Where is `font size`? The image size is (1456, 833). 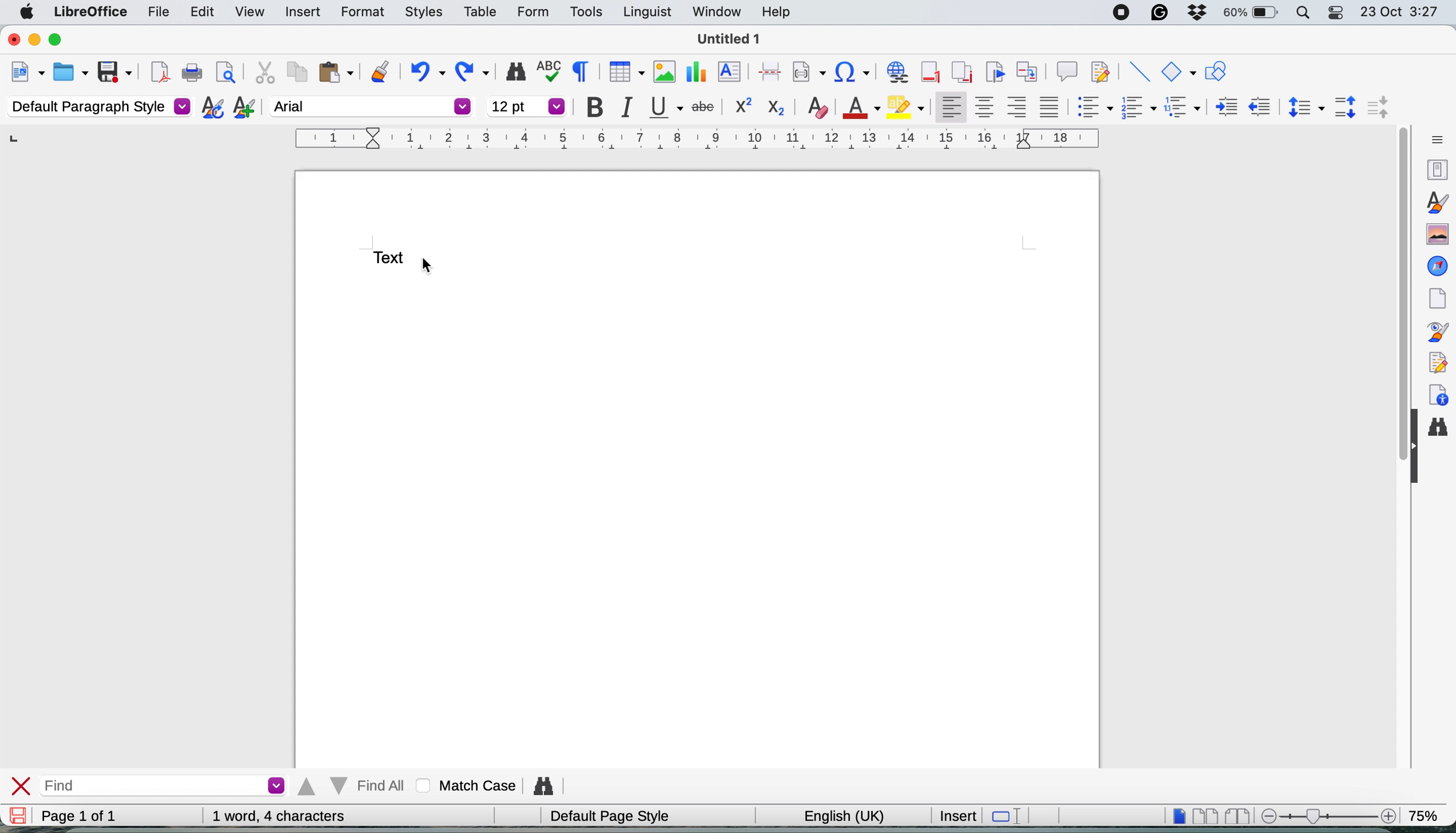 font size is located at coordinates (526, 106).